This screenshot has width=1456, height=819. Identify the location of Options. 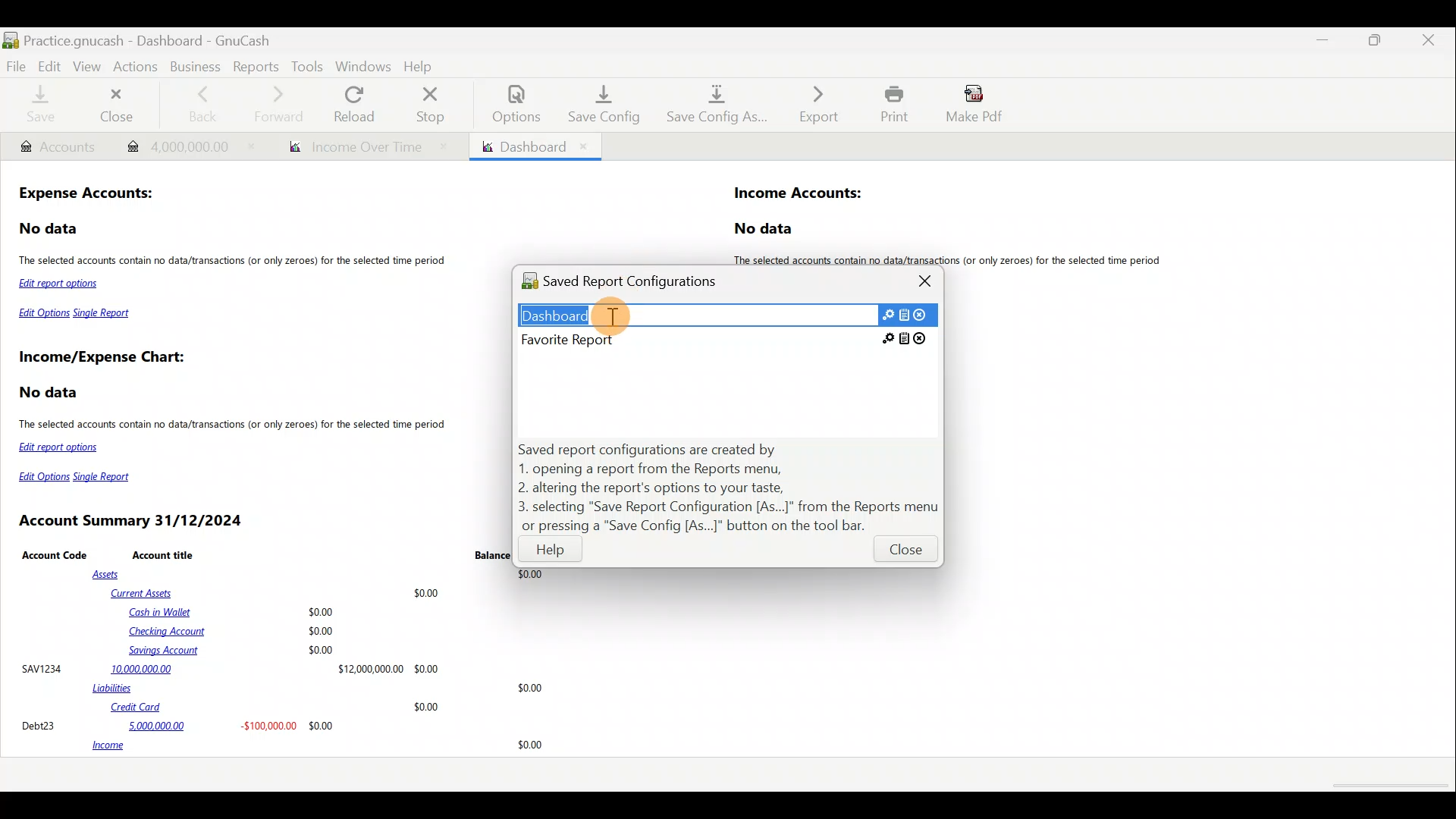
(509, 104).